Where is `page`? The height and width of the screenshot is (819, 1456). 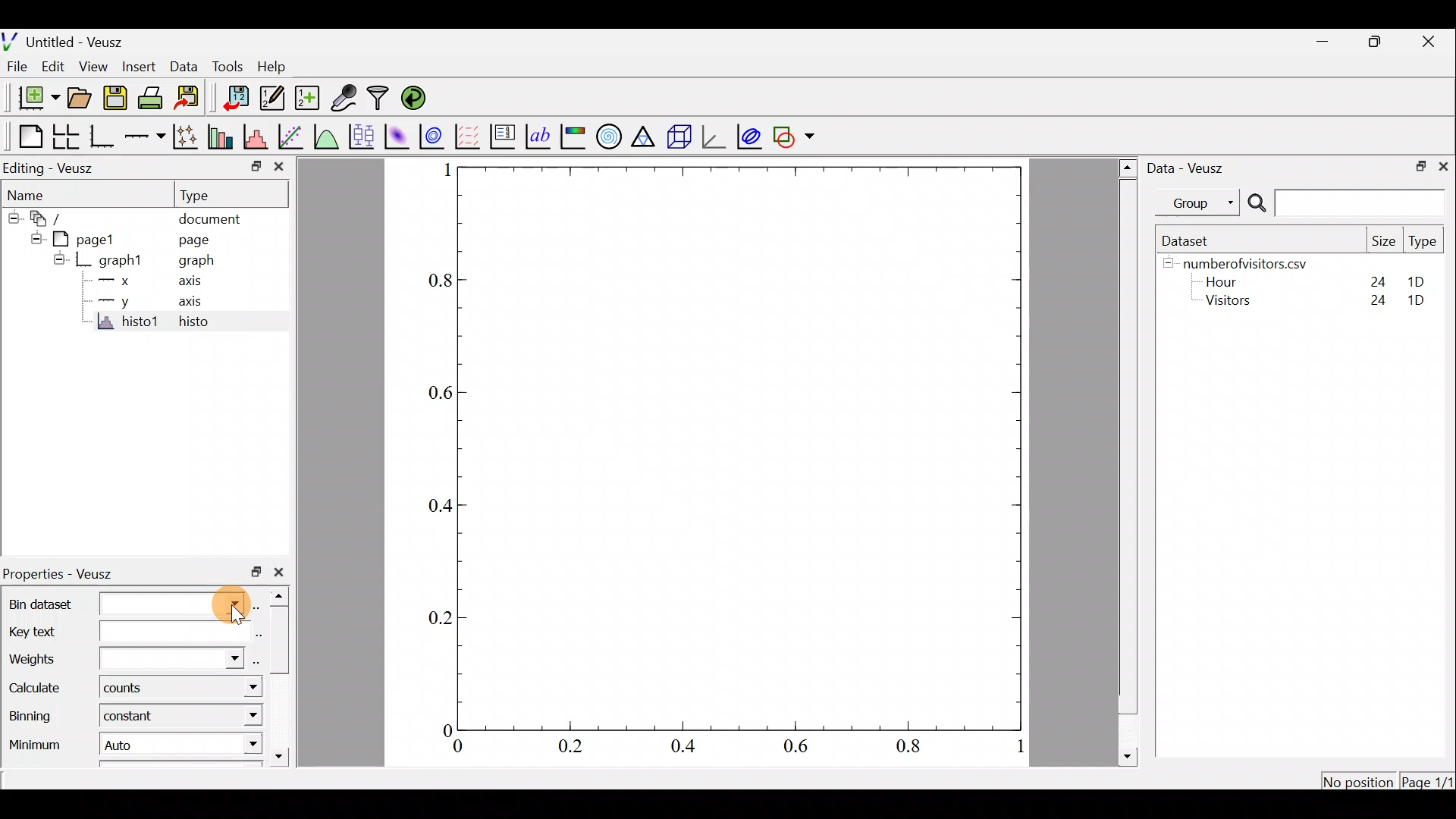 page is located at coordinates (196, 240).